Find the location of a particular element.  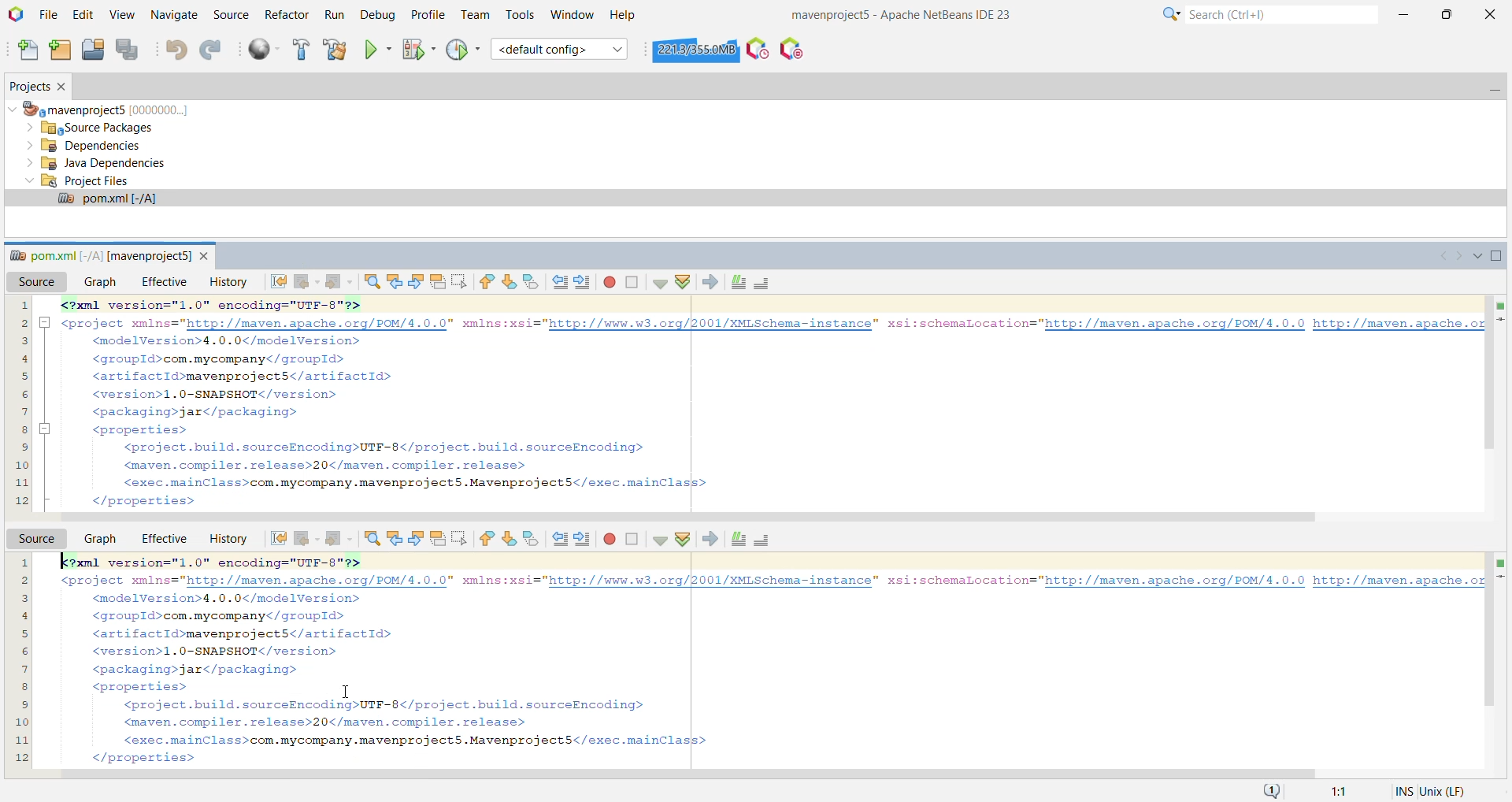

System OS is located at coordinates (1455, 790).